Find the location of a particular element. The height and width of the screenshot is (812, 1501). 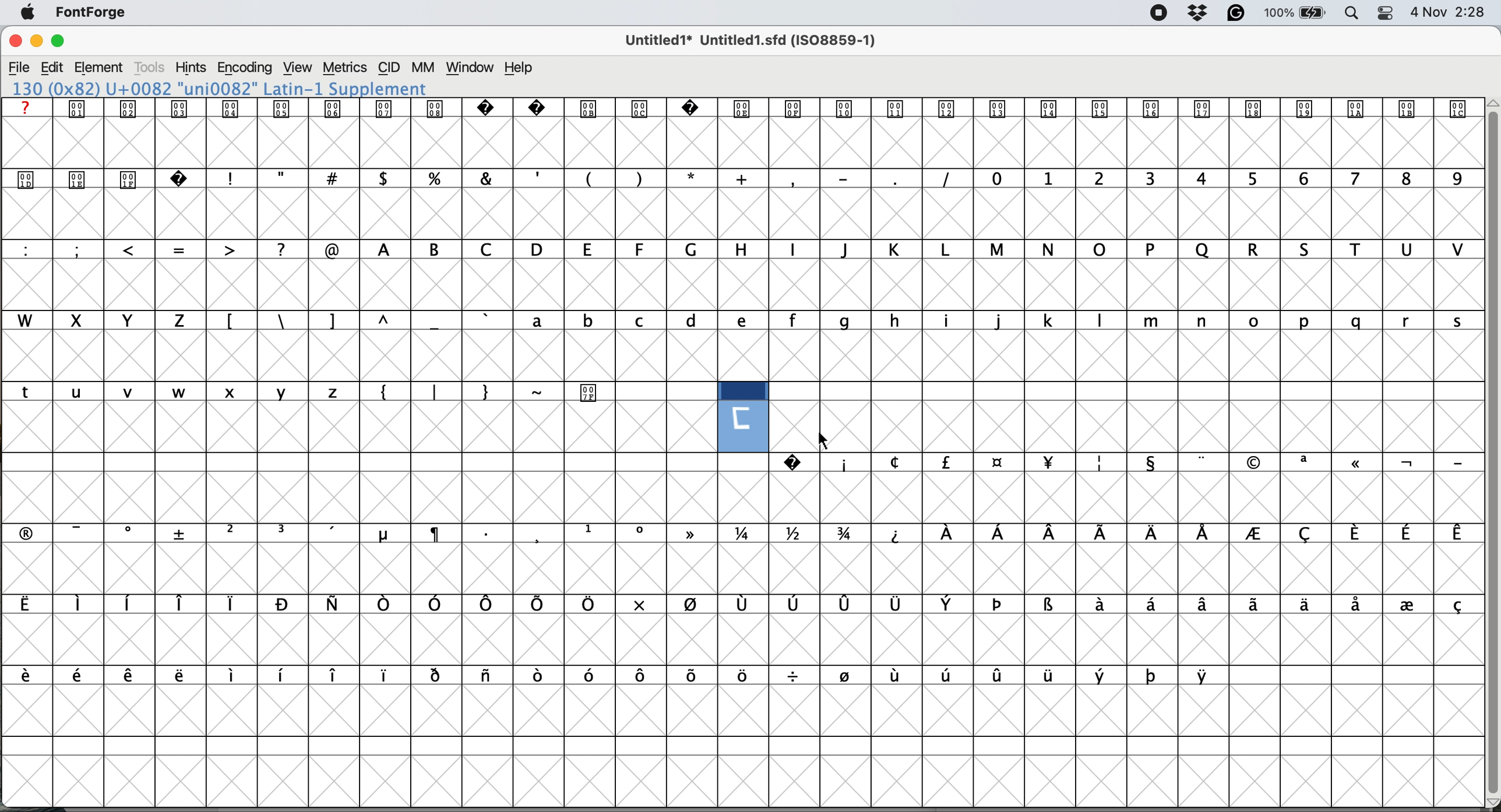

cid is located at coordinates (389, 68).